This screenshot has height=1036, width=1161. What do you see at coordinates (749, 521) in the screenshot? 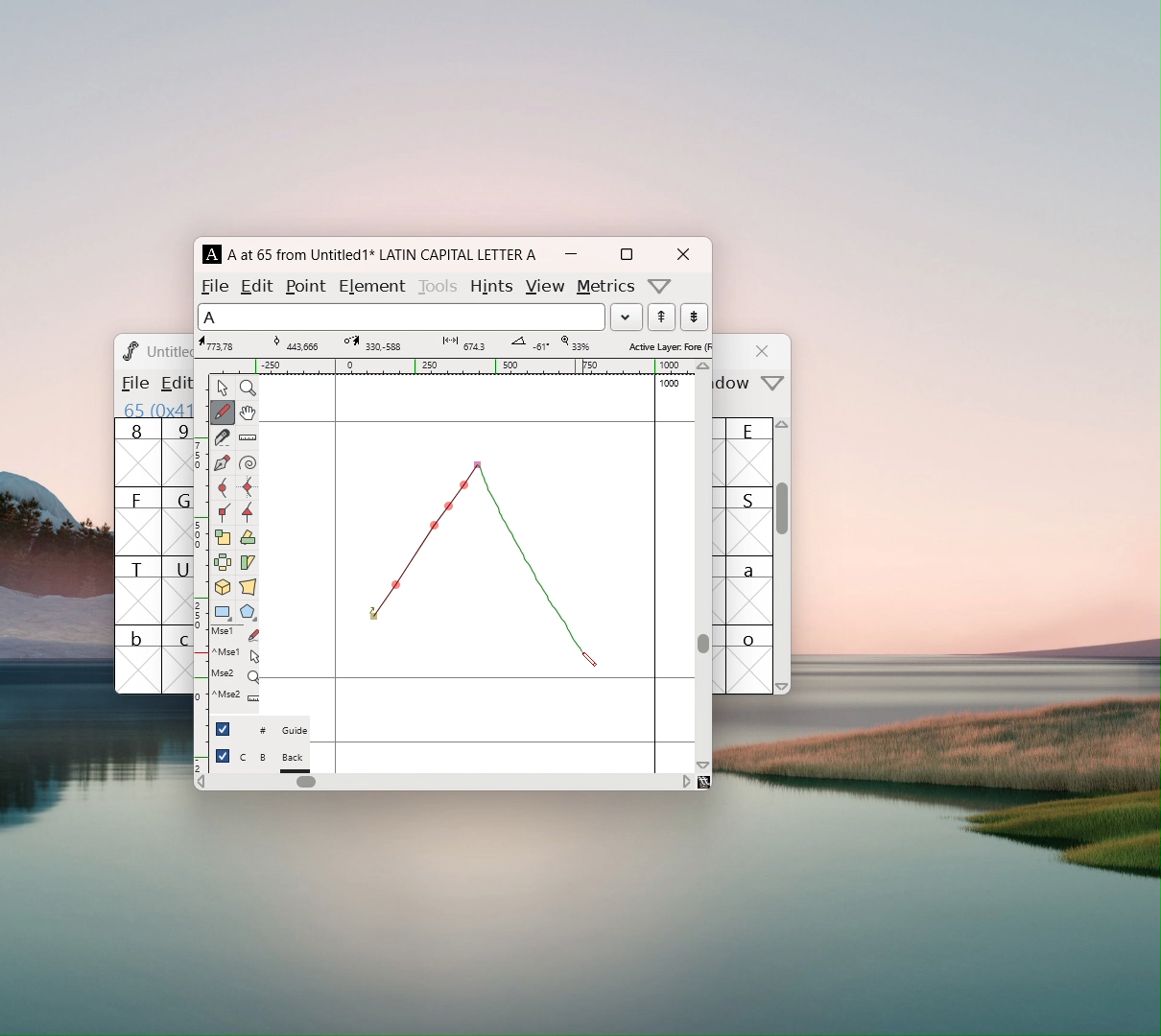
I see `S` at bounding box center [749, 521].